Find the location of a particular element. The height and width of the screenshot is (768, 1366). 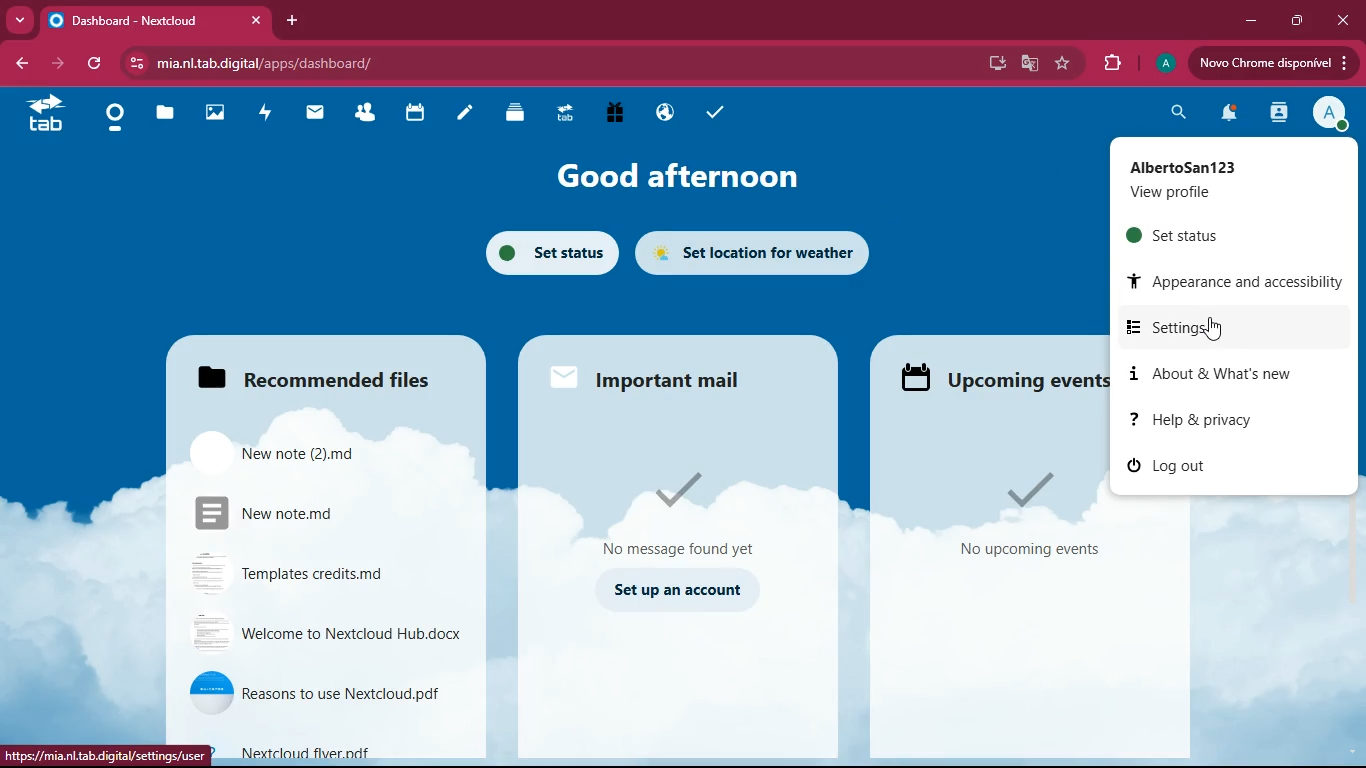

help is located at coordinates (1210, 422).